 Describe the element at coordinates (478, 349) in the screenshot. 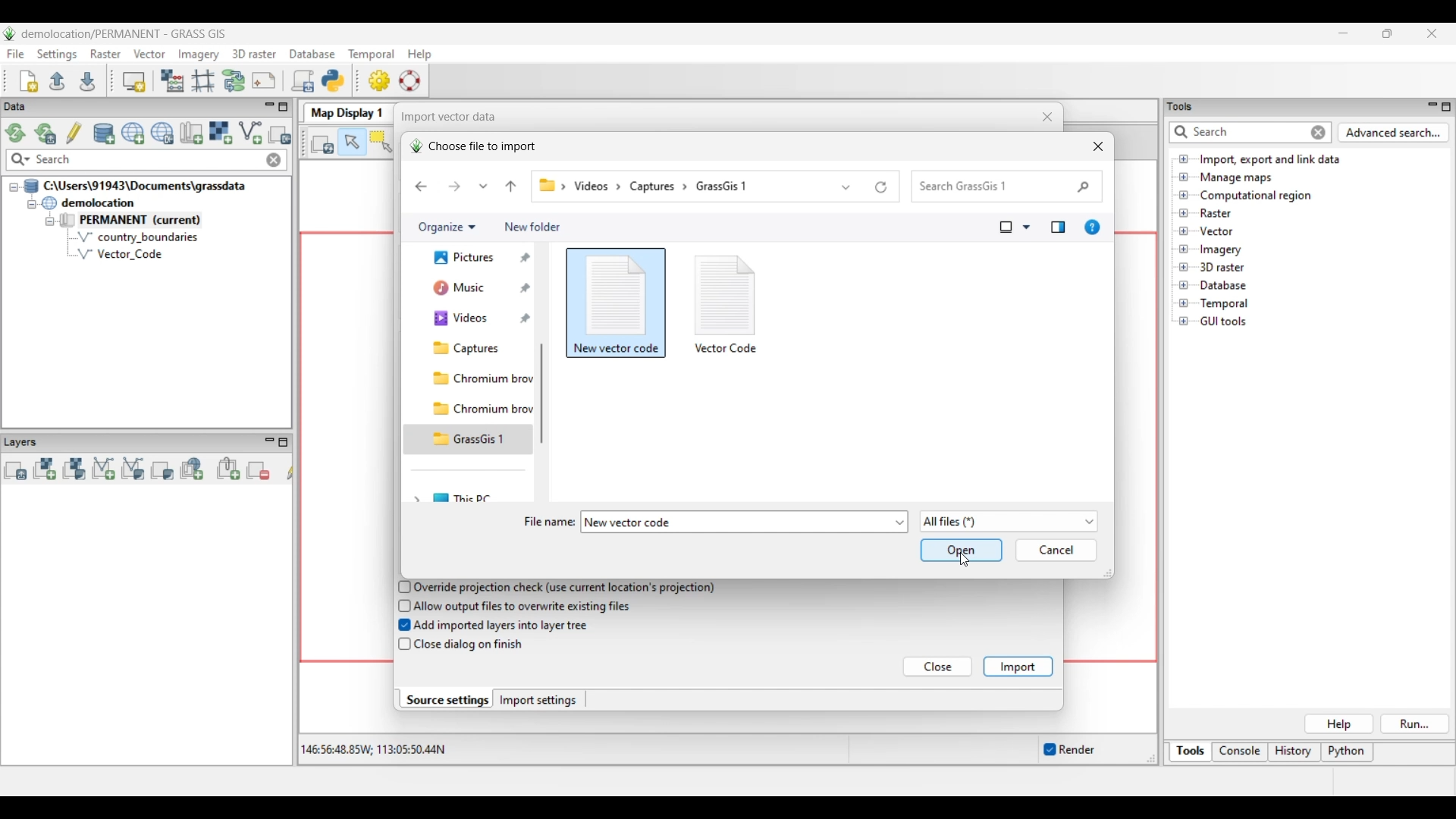

I see `Videos folder` at that location.